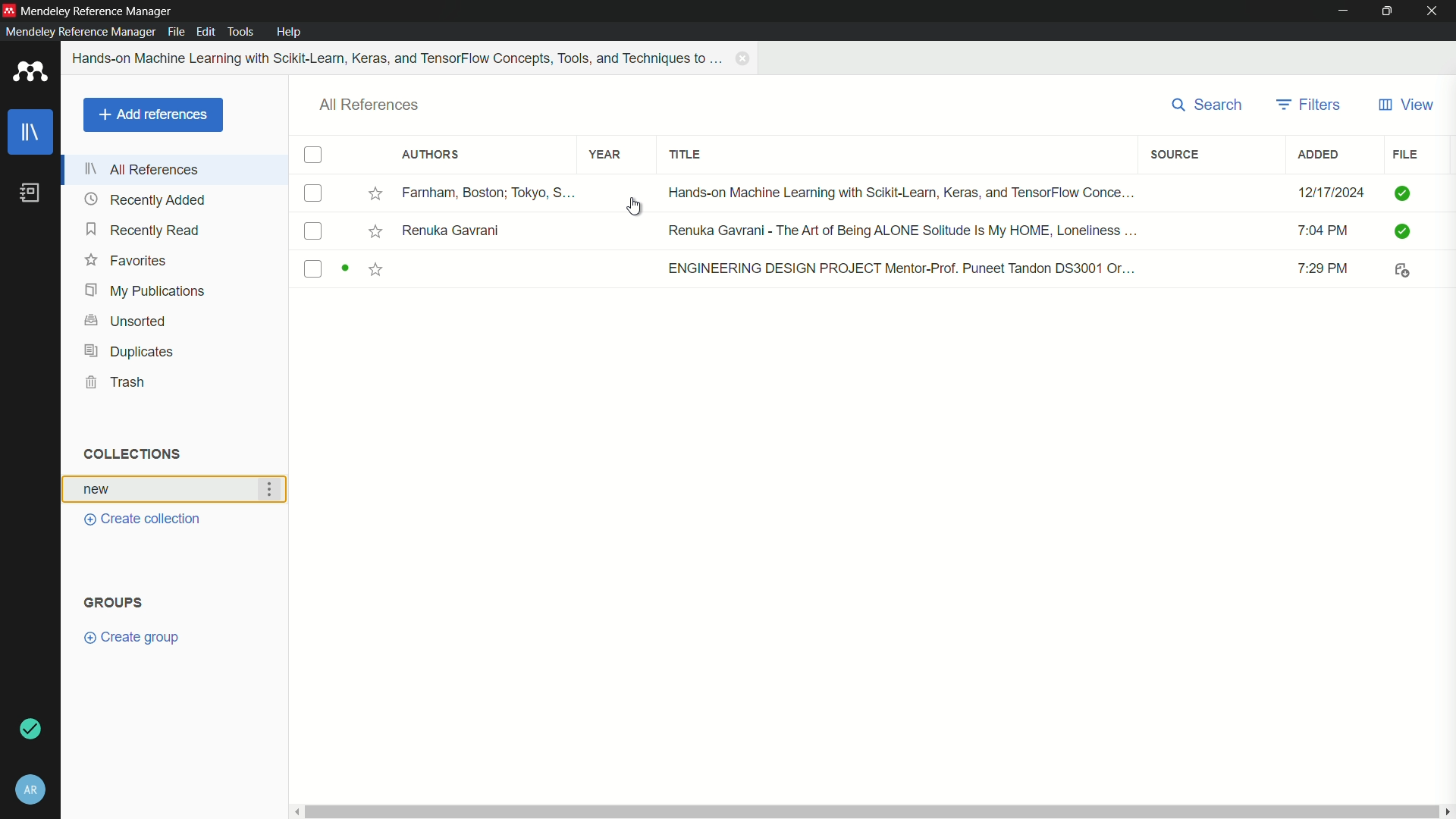 This screenshot has width=1456, height=819. What do you see at coordinates (866, 231) in the screenshot?
I see `book-2` at bounding box center [866, 231].